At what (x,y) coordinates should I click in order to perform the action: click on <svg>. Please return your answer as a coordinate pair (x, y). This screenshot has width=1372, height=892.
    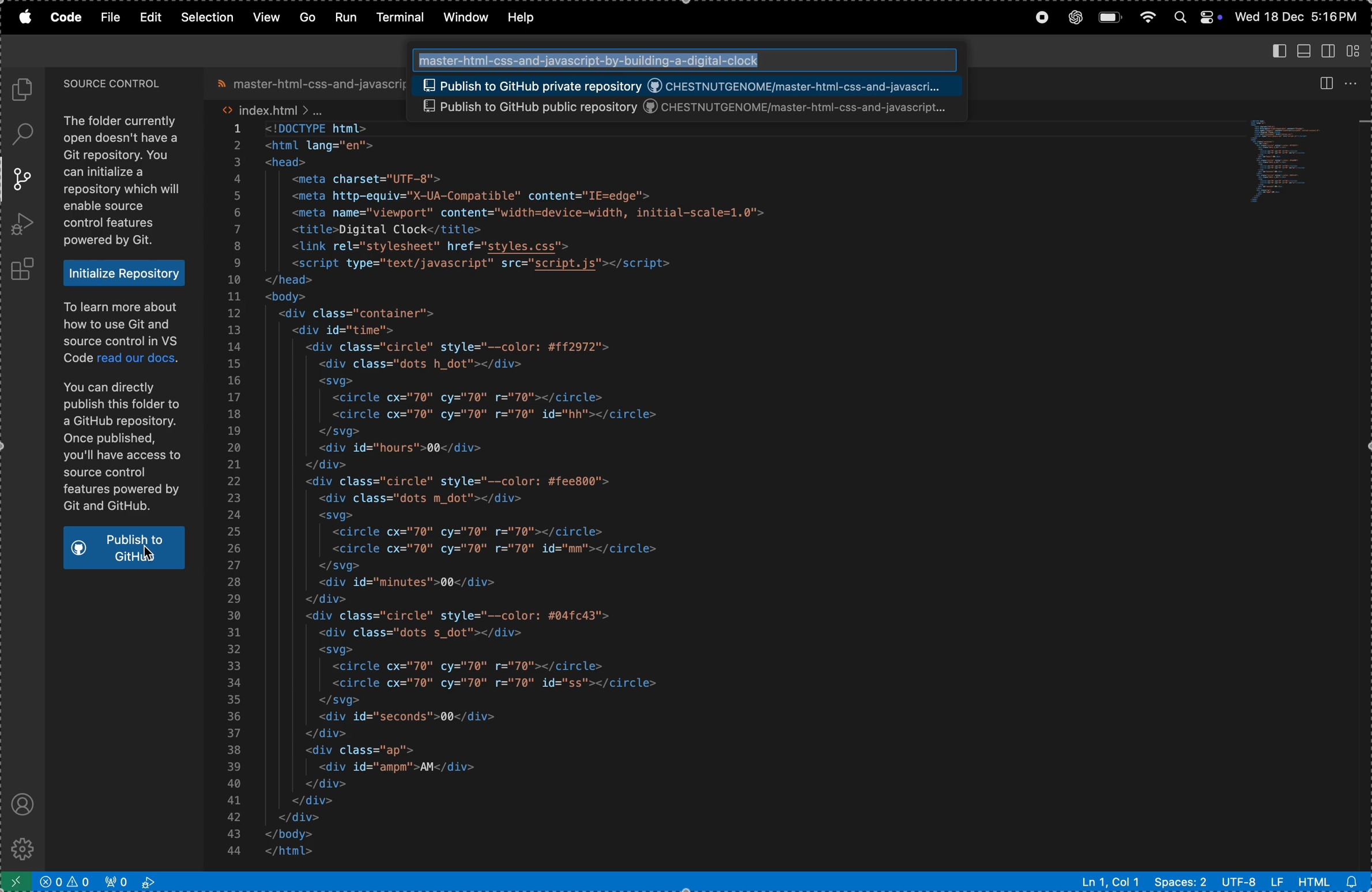
    Looking at the image, I should click on (361, 651).